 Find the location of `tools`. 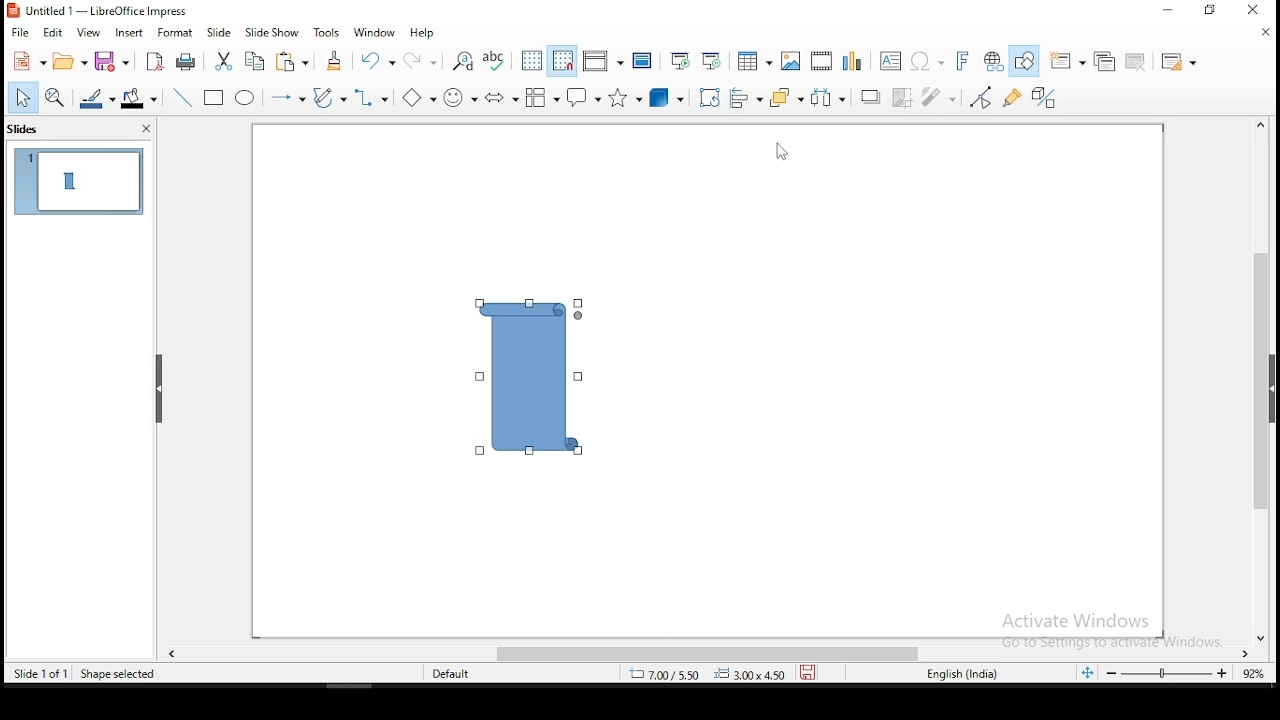

tools is located at coordinates (328, 34).